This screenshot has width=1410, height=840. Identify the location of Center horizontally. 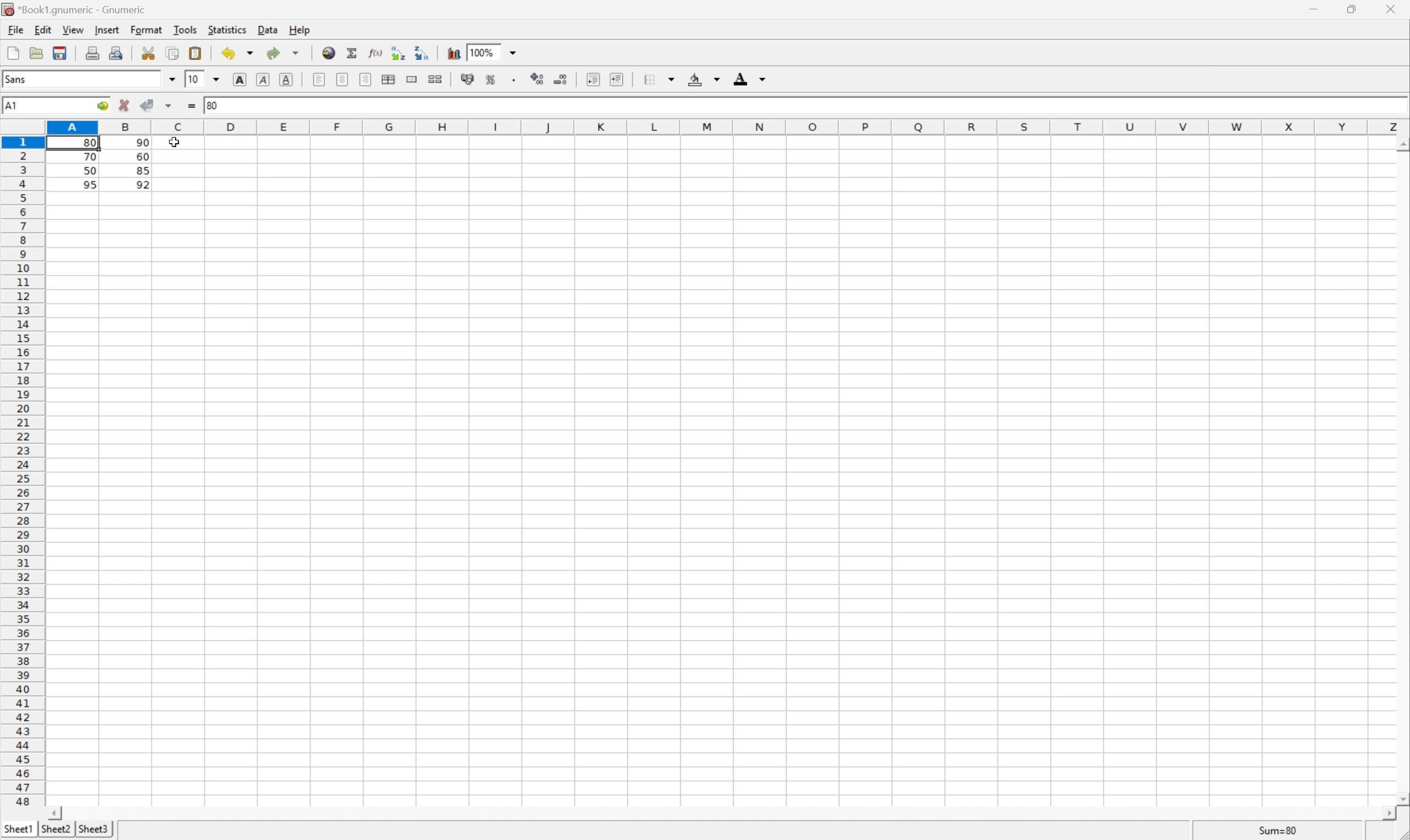
(343, 80).